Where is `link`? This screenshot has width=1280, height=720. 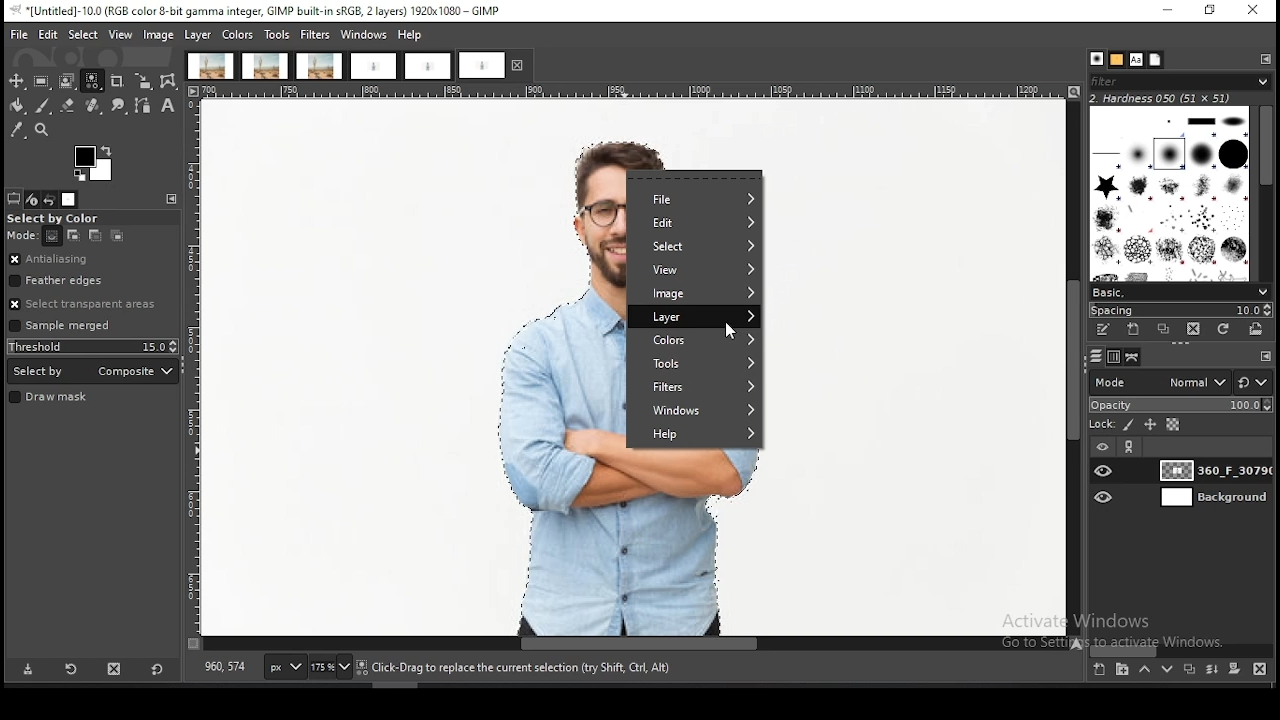 link is located at coordinates (1130, 447).